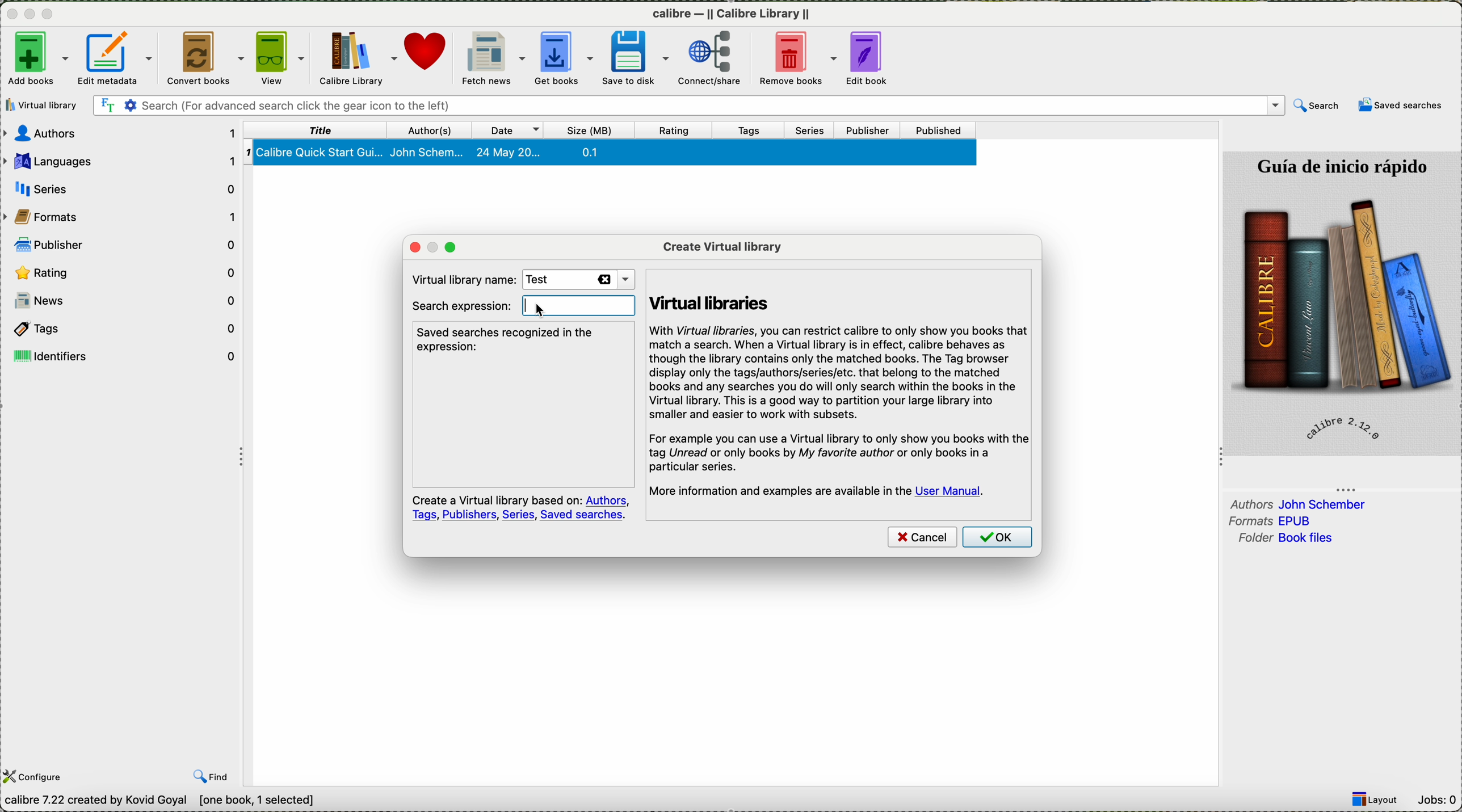 The height and width of the screenshot is (812, 1462). What do you see at coordinates (521, 508) in the screenshot?
I see `note` at bounding box center [521, 508].